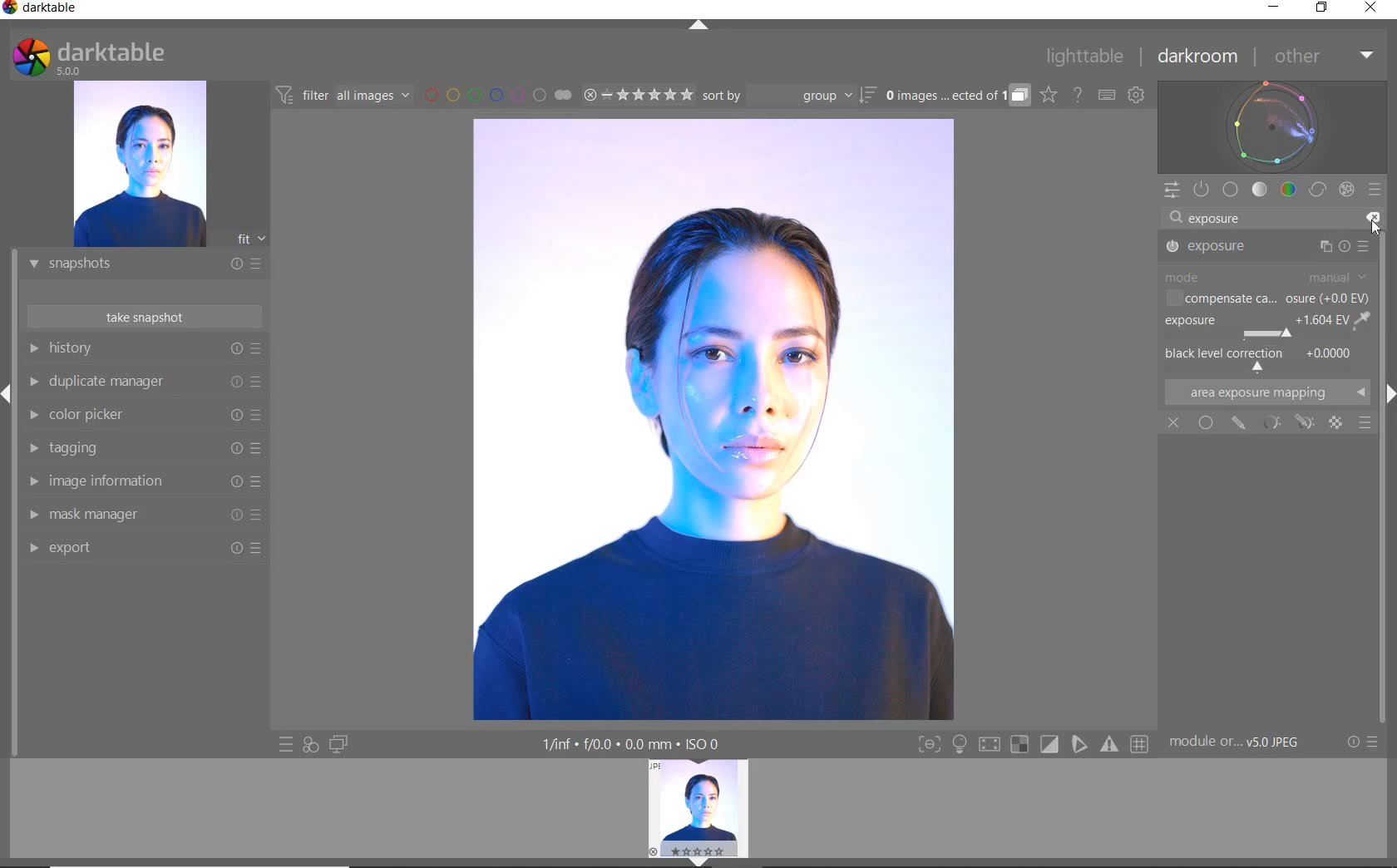  What do you see at coordinates (8, 394) in the screenshot?
I see `Expand/Collapse` at bounding box center [8, 394].